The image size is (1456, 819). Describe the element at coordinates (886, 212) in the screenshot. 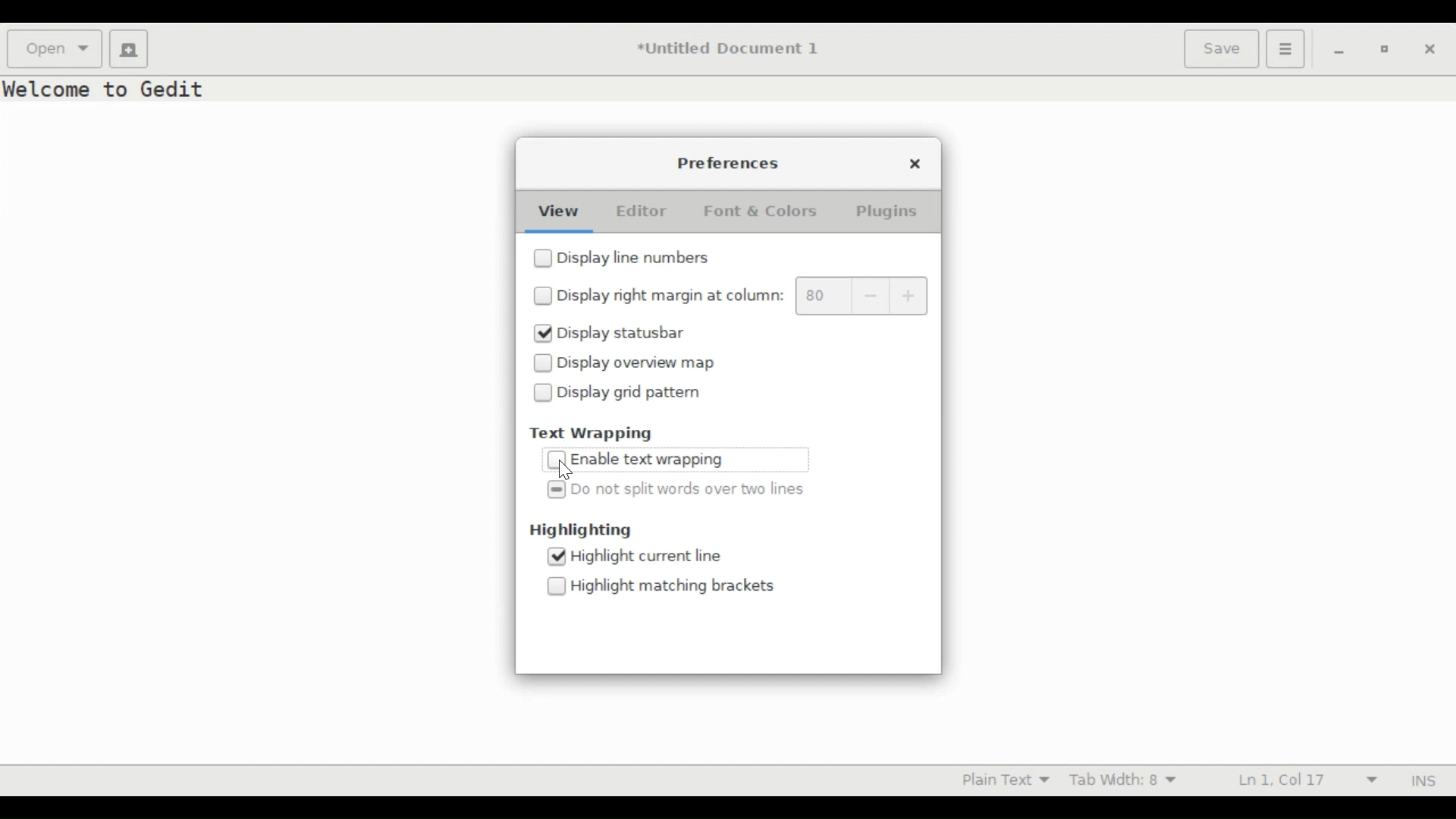

I see `Plugins` at that location.